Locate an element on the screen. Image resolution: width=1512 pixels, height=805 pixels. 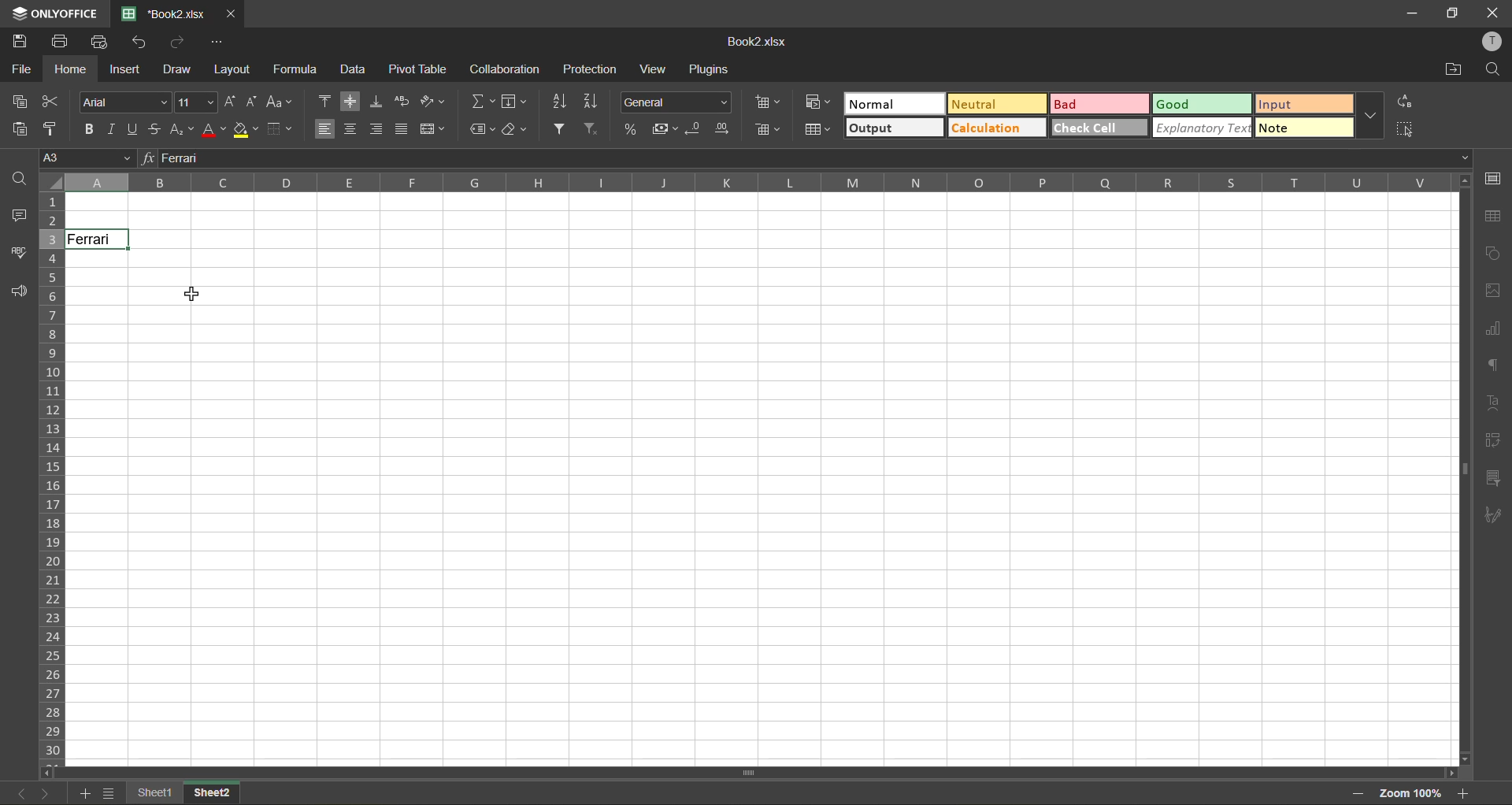
replace is located at coordinates (1405, 103).